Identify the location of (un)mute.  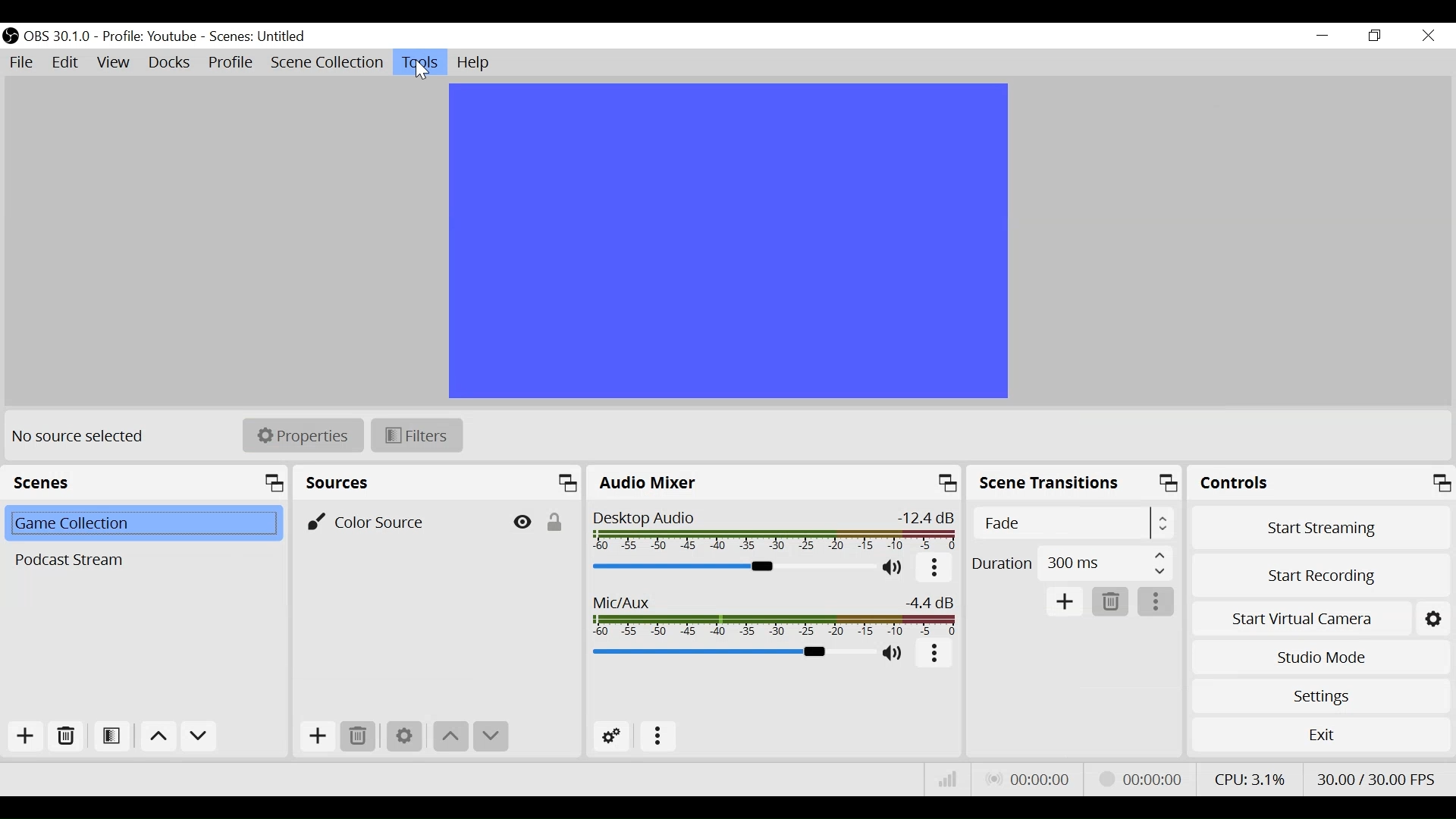
(893, 569).